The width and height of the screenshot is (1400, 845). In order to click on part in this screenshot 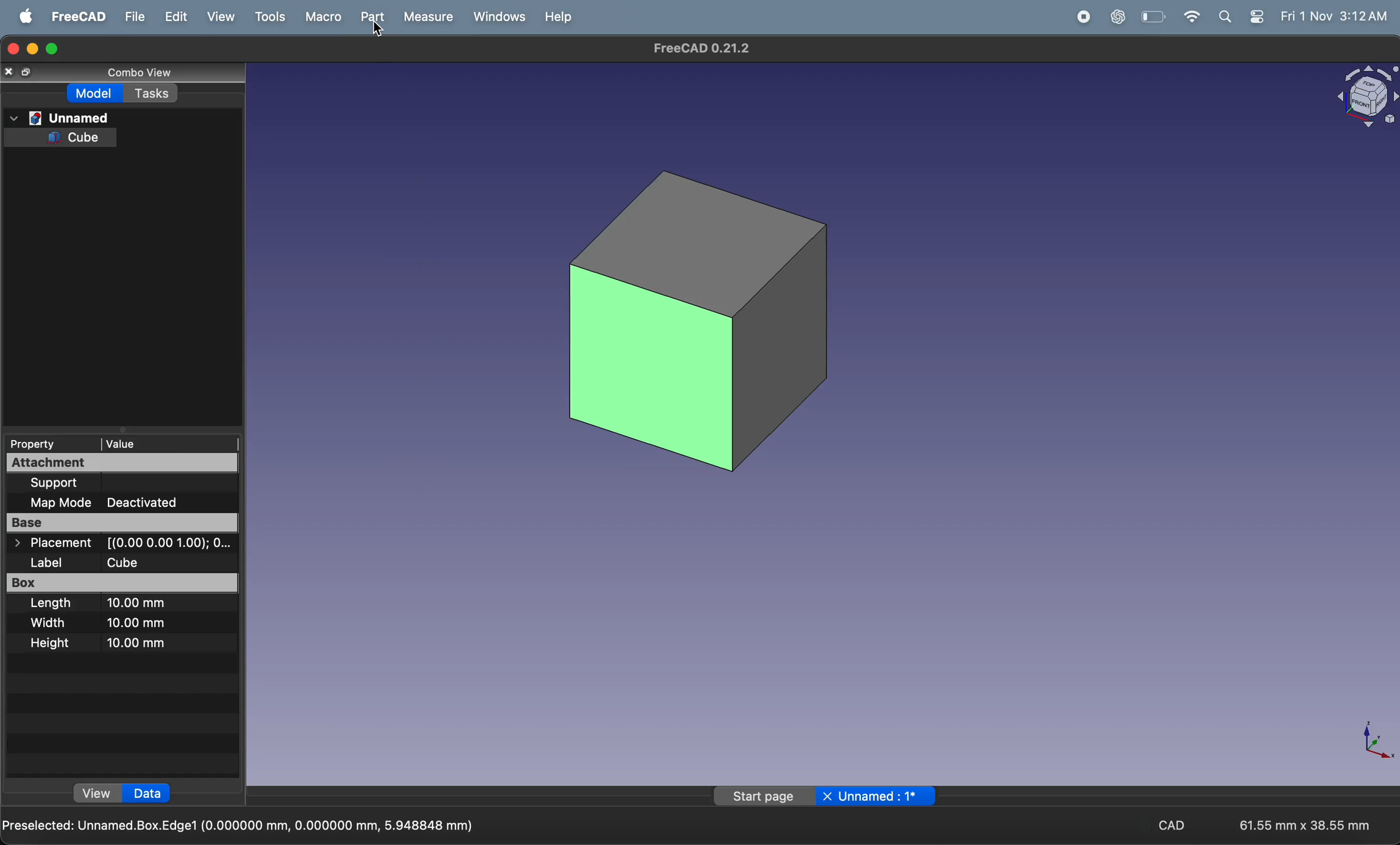, I will do `click(372, 17)`.